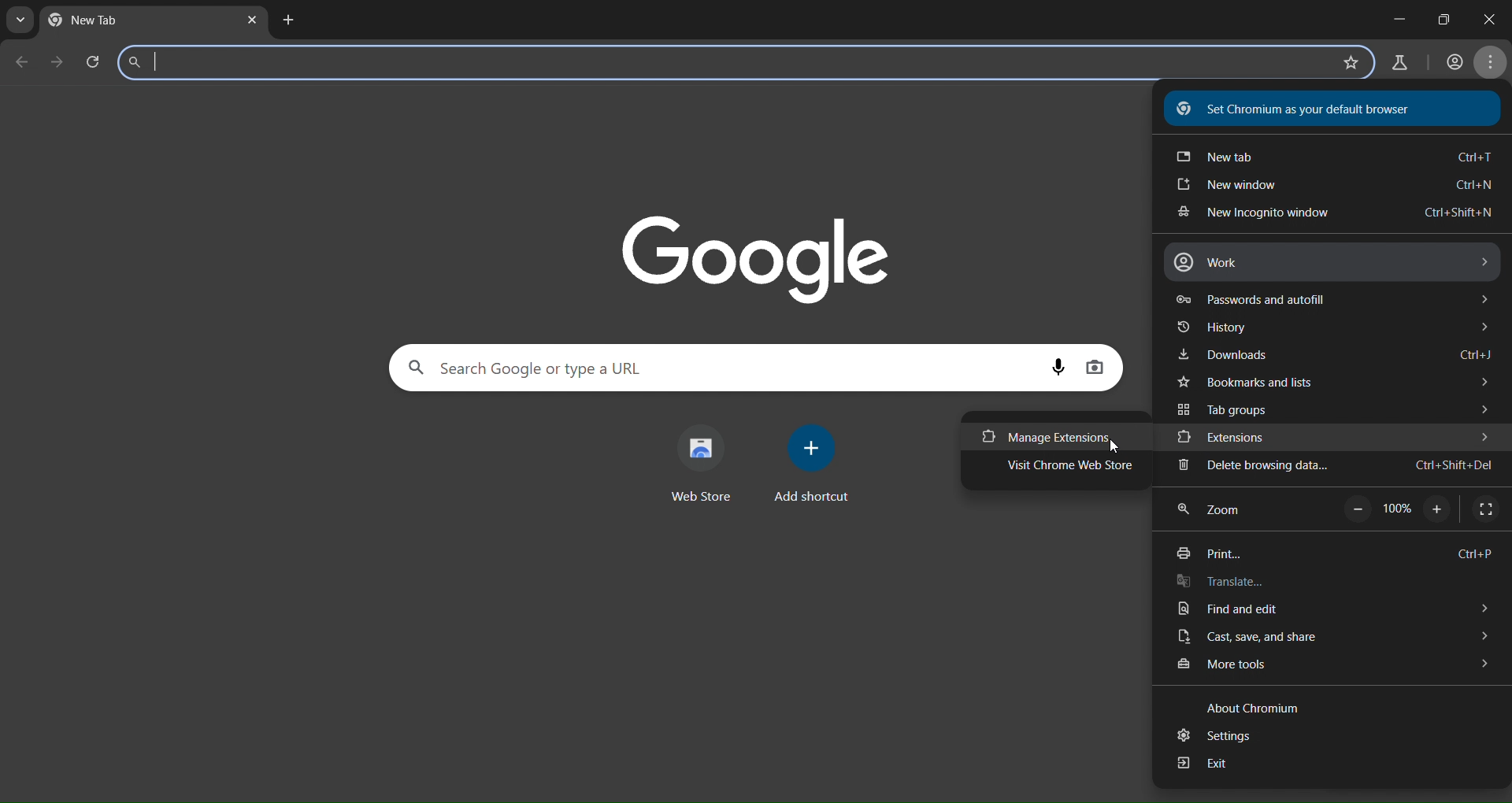 The width and height of the screenshot is (1512, 803). Describe the element at coordinates (1495, 17) in the screenshot. I see `maximize` at that location.